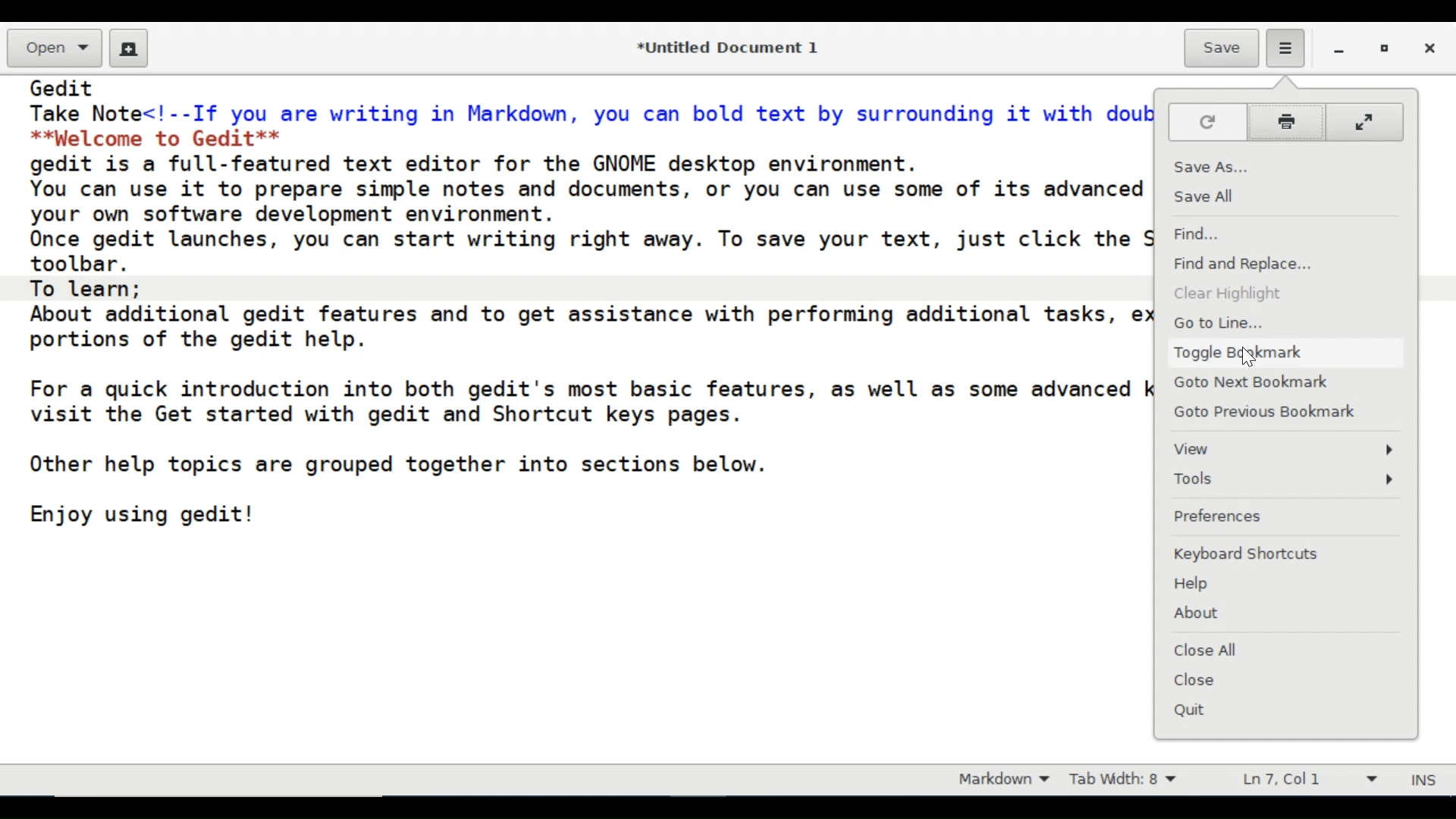 The width and height of the screenshot is (1456, 819). I want to click on Application menu, so click(1282, 47).